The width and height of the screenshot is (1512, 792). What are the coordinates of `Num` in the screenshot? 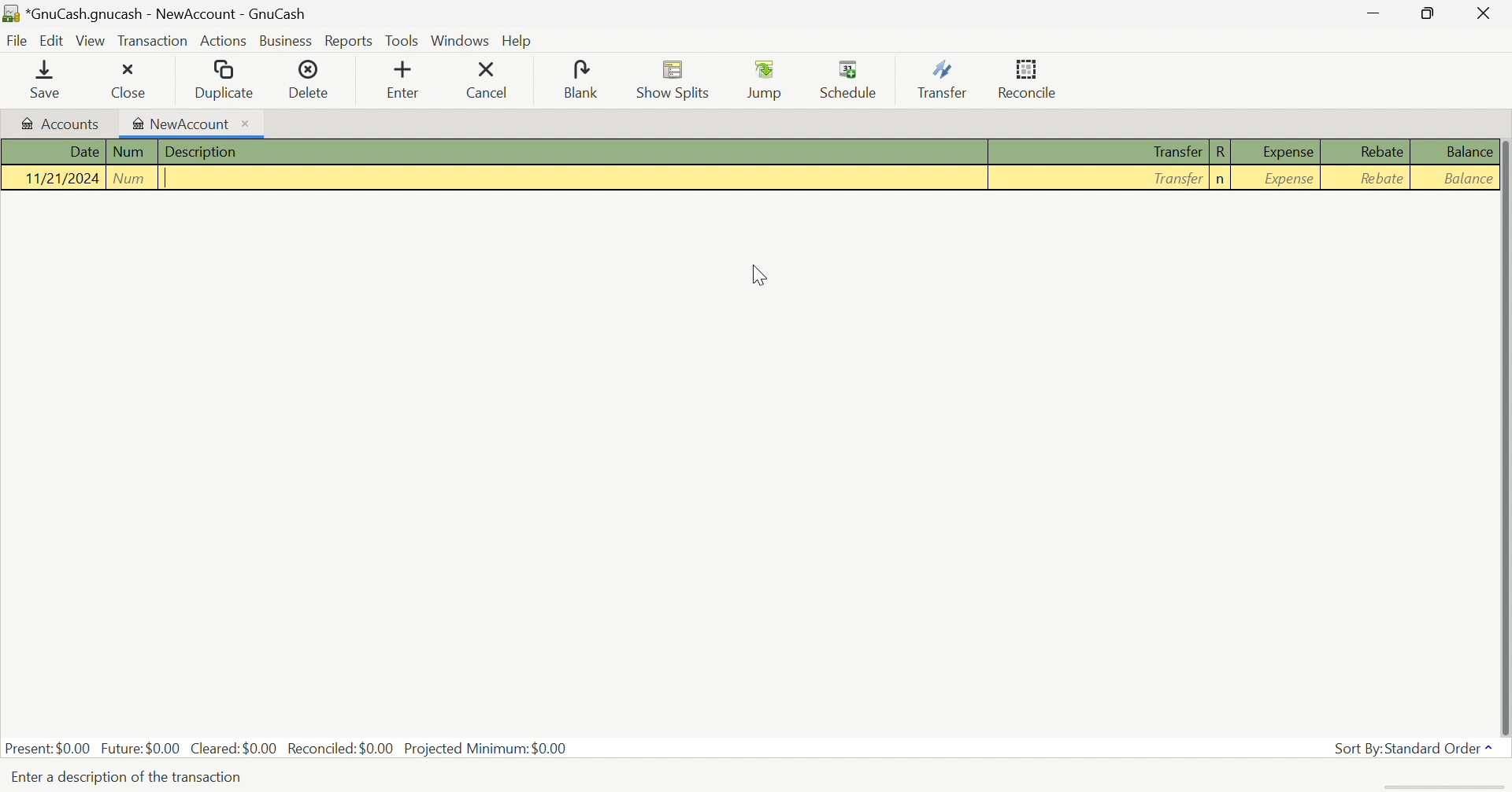 It's located at (128, 151).